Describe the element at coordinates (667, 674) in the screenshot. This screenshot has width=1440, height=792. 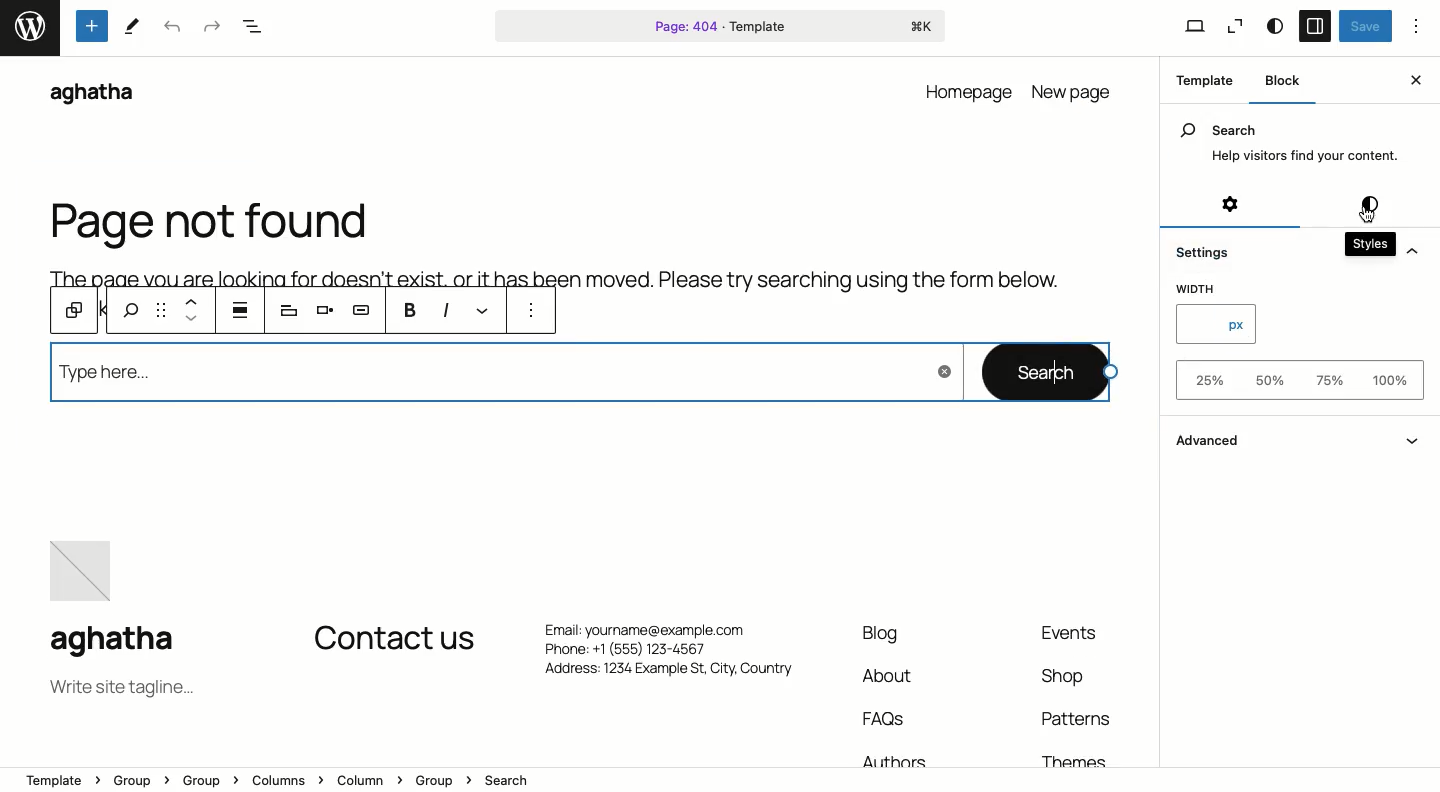
I see `Address: 1234 Example St, City. Country` at that location.